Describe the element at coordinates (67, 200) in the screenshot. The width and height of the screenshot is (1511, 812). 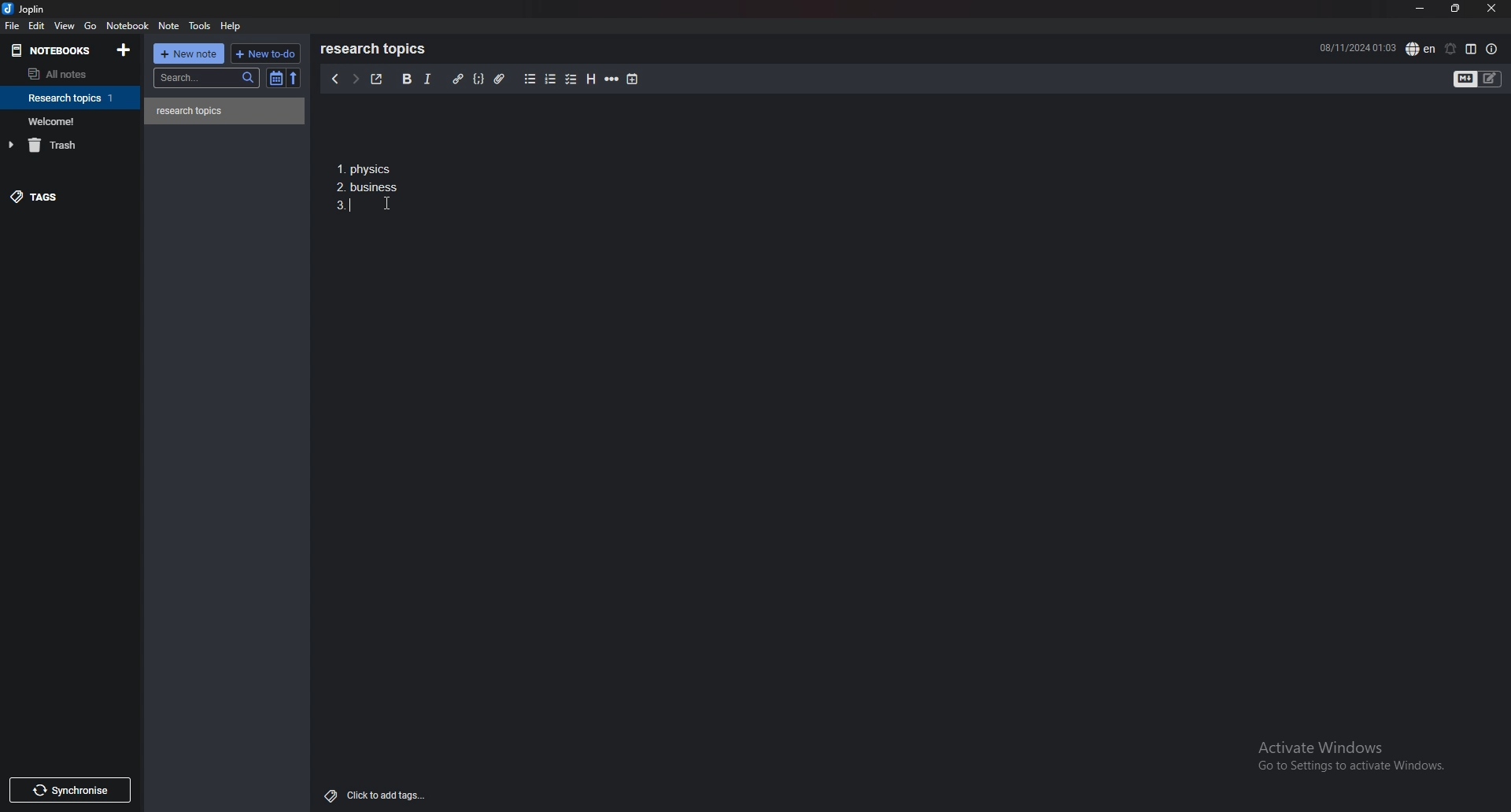
I see `tags` at that location.